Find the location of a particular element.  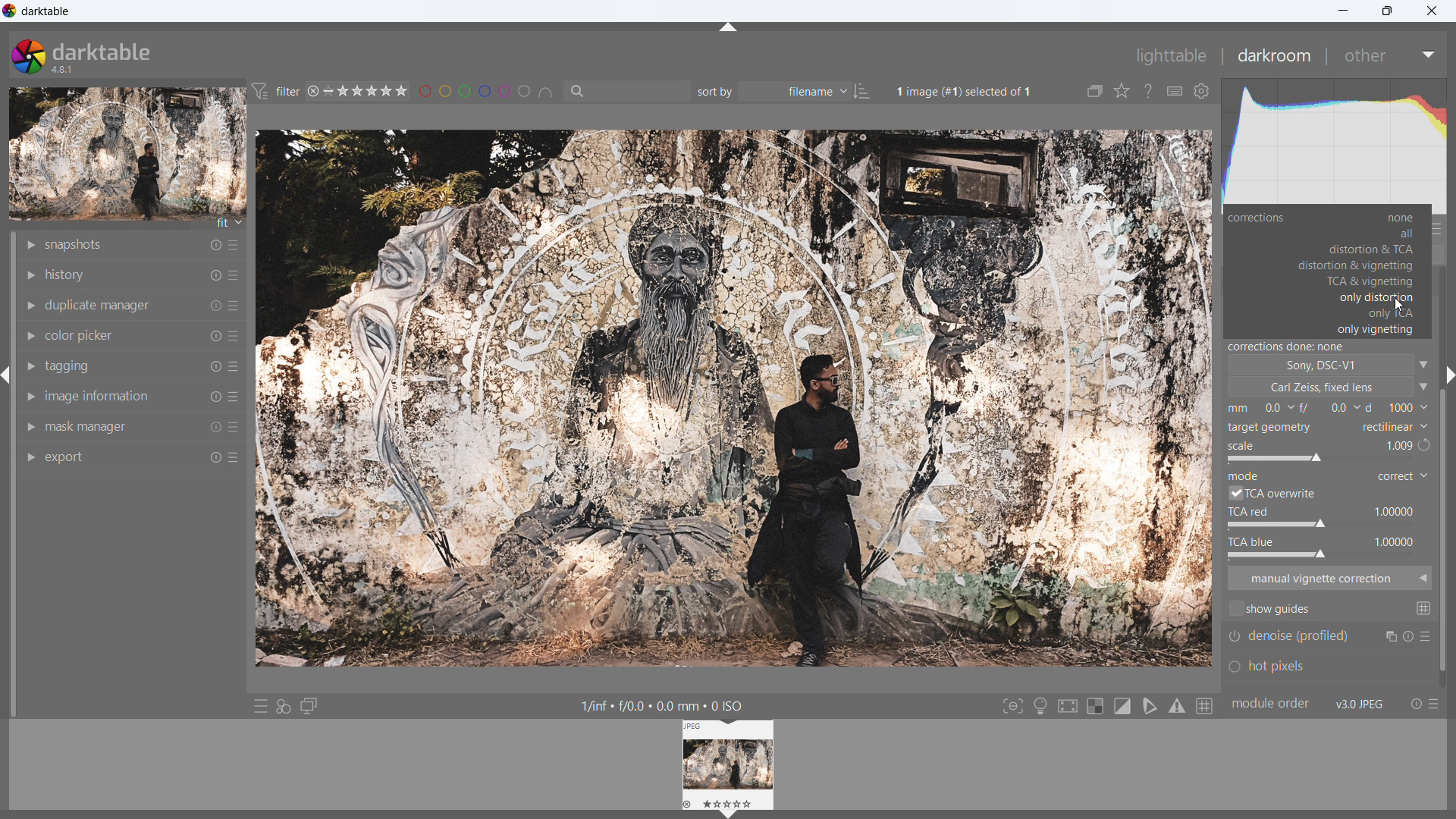

reset is located at coordinates (210, 336).